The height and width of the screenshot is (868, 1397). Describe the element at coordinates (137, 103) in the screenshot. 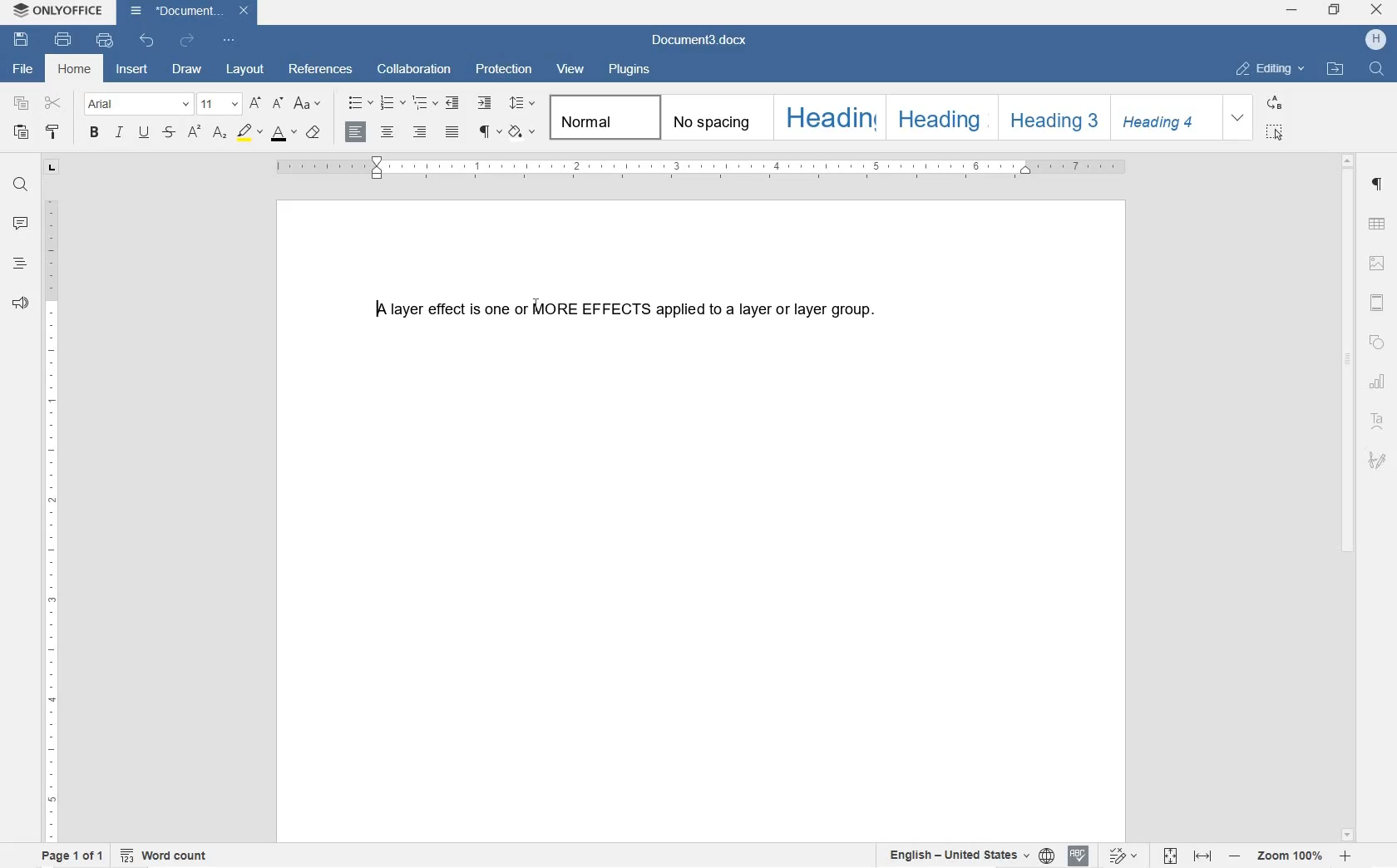

I see `FONT NAME` at that location.